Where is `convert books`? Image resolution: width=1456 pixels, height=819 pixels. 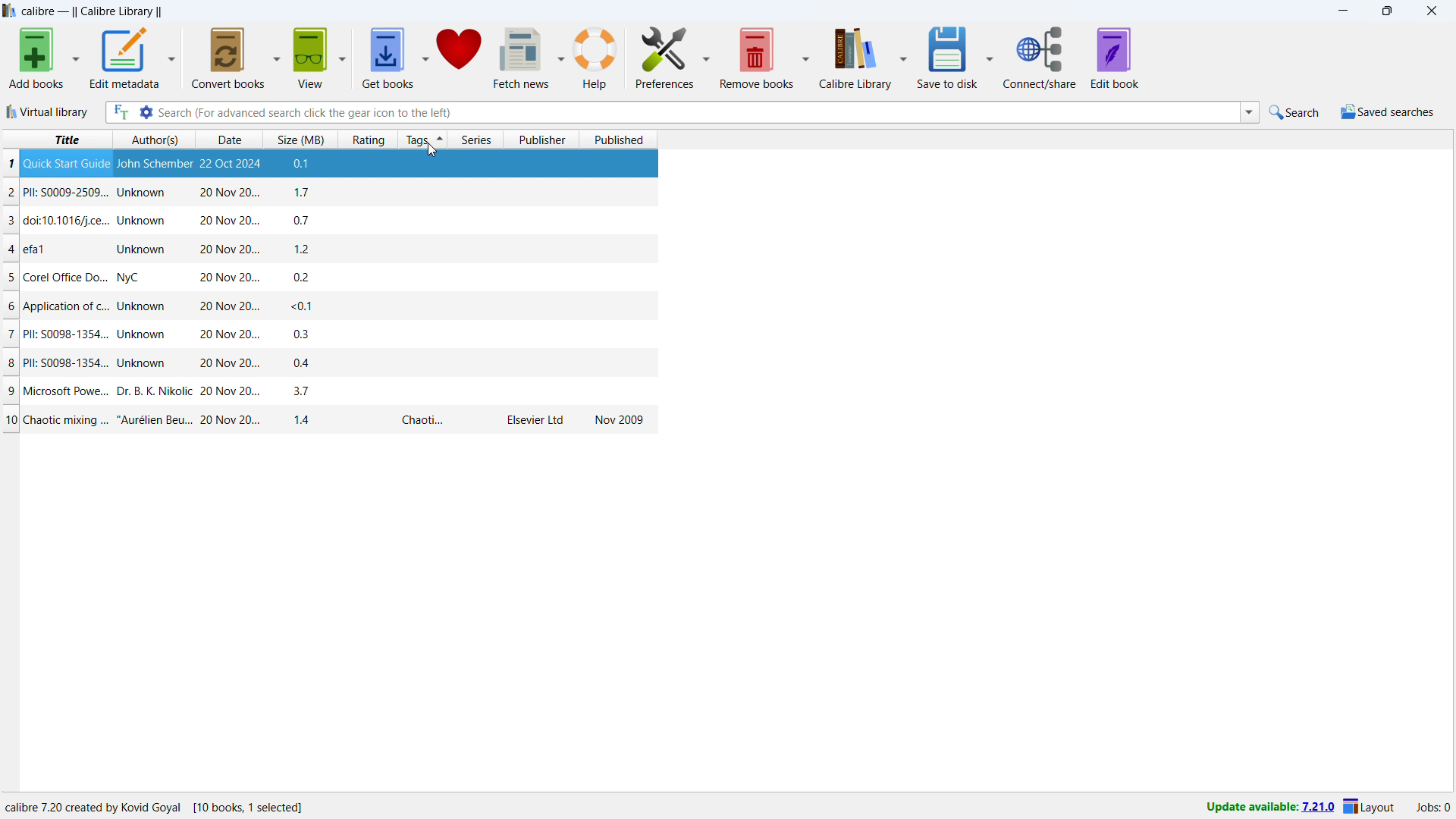 convert books is located at coordinates (229, 58).